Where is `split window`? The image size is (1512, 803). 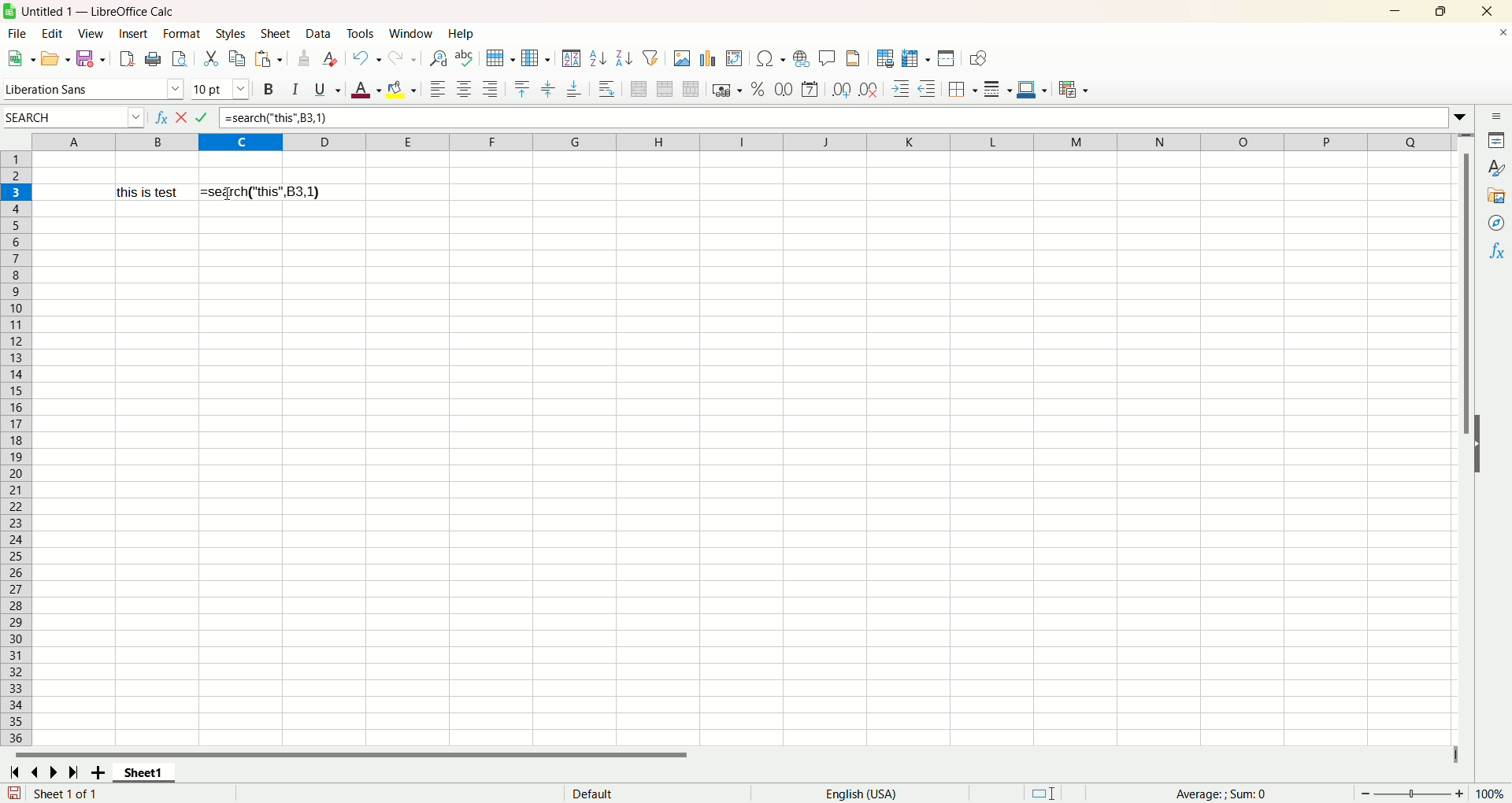 split window is located at coordinates (945, 58).